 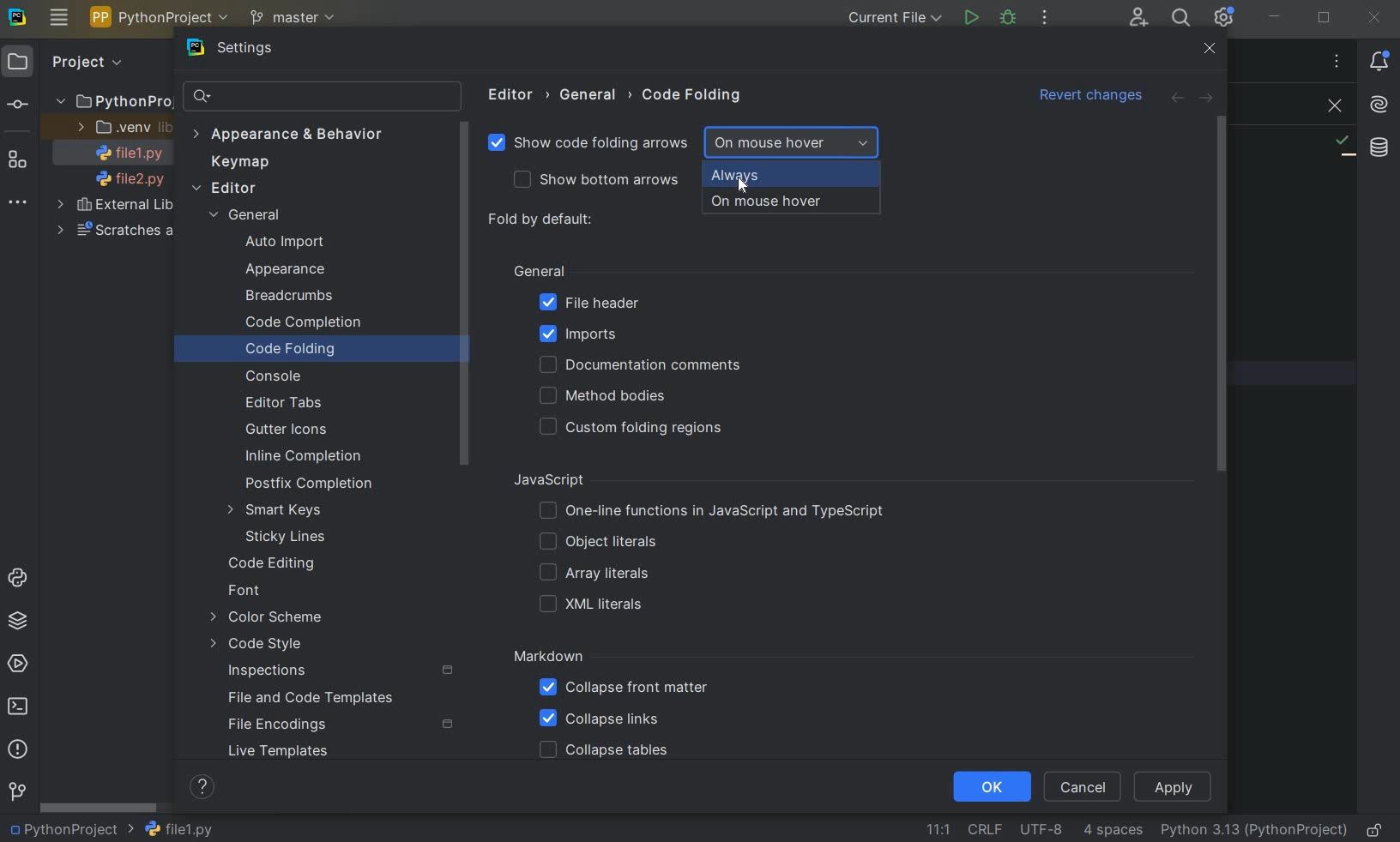 I want to click on DATABASE, so click(x=1379, y=147).